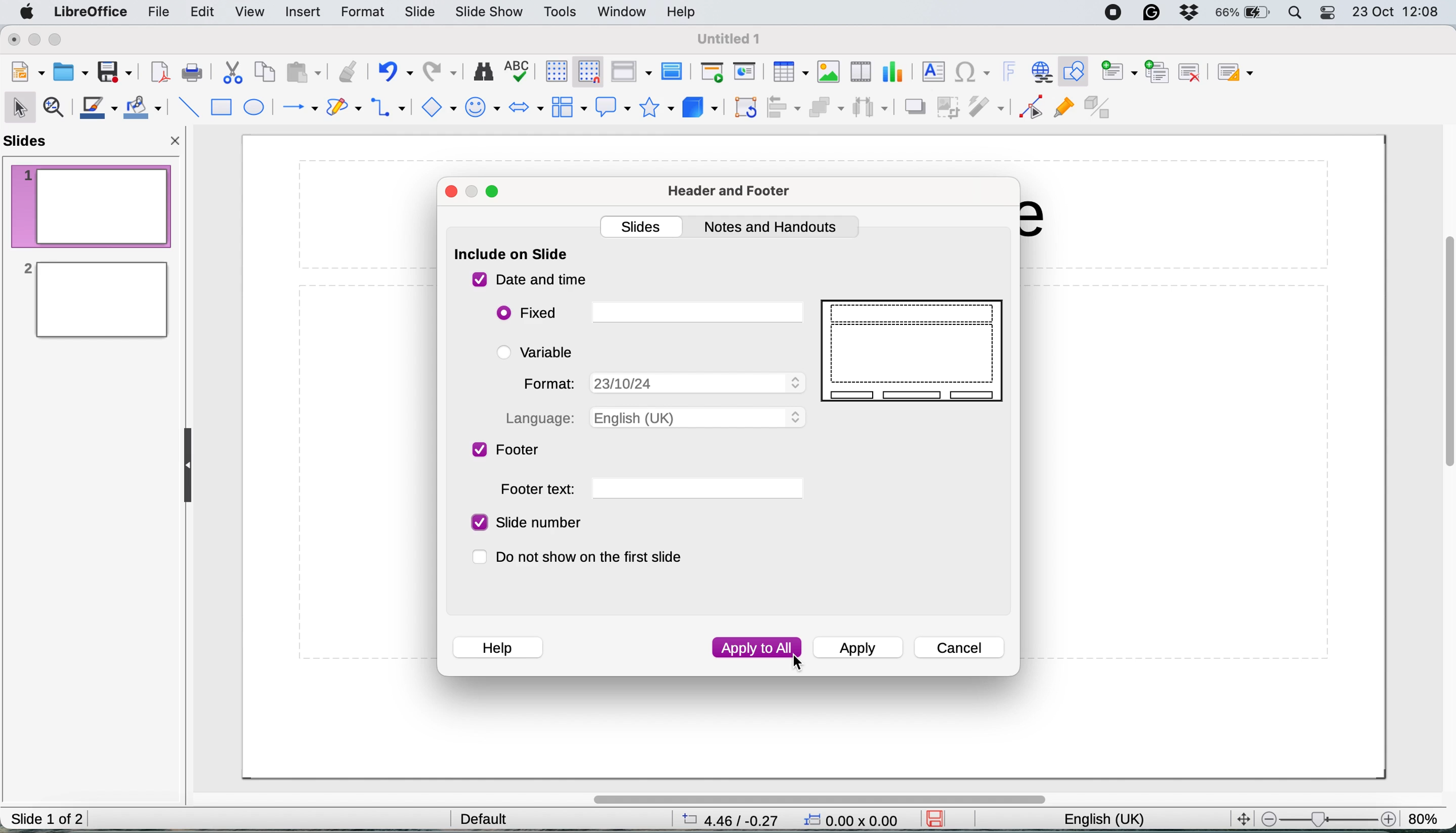  What do you see at coordinates (365, 13) in the screenshot?
I see `format` at bounding box center [365, 13].